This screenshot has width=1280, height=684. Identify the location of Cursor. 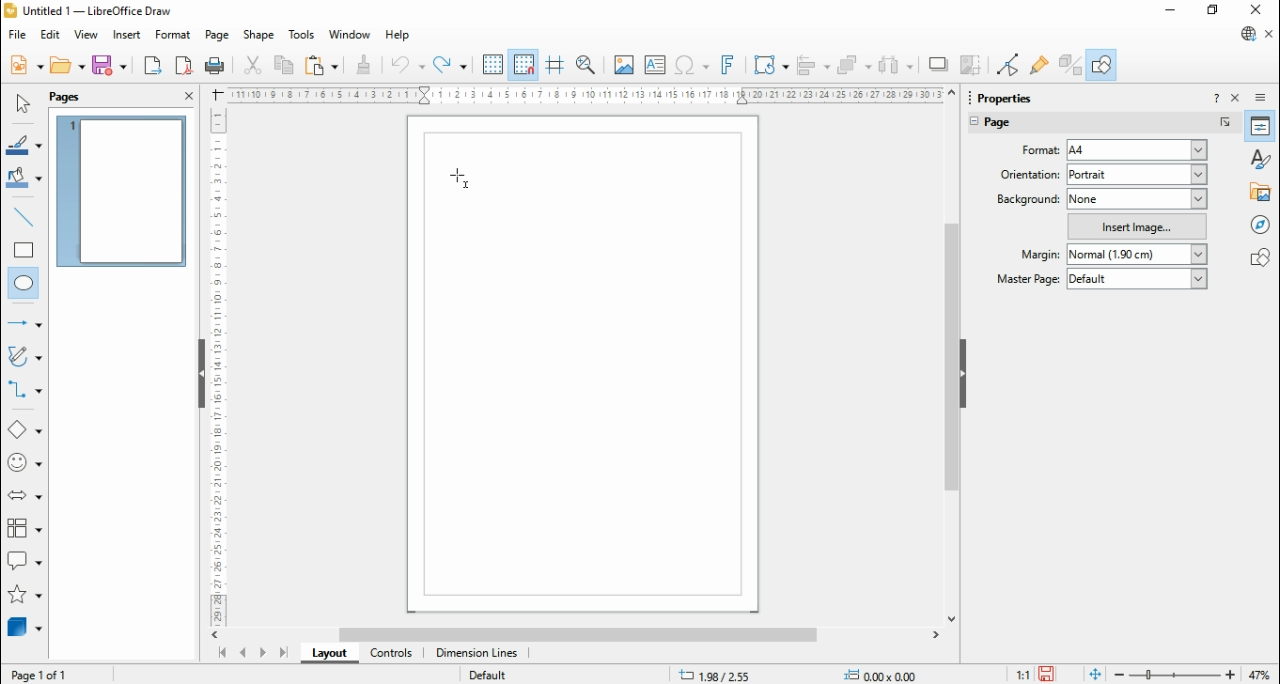
(456, 175).